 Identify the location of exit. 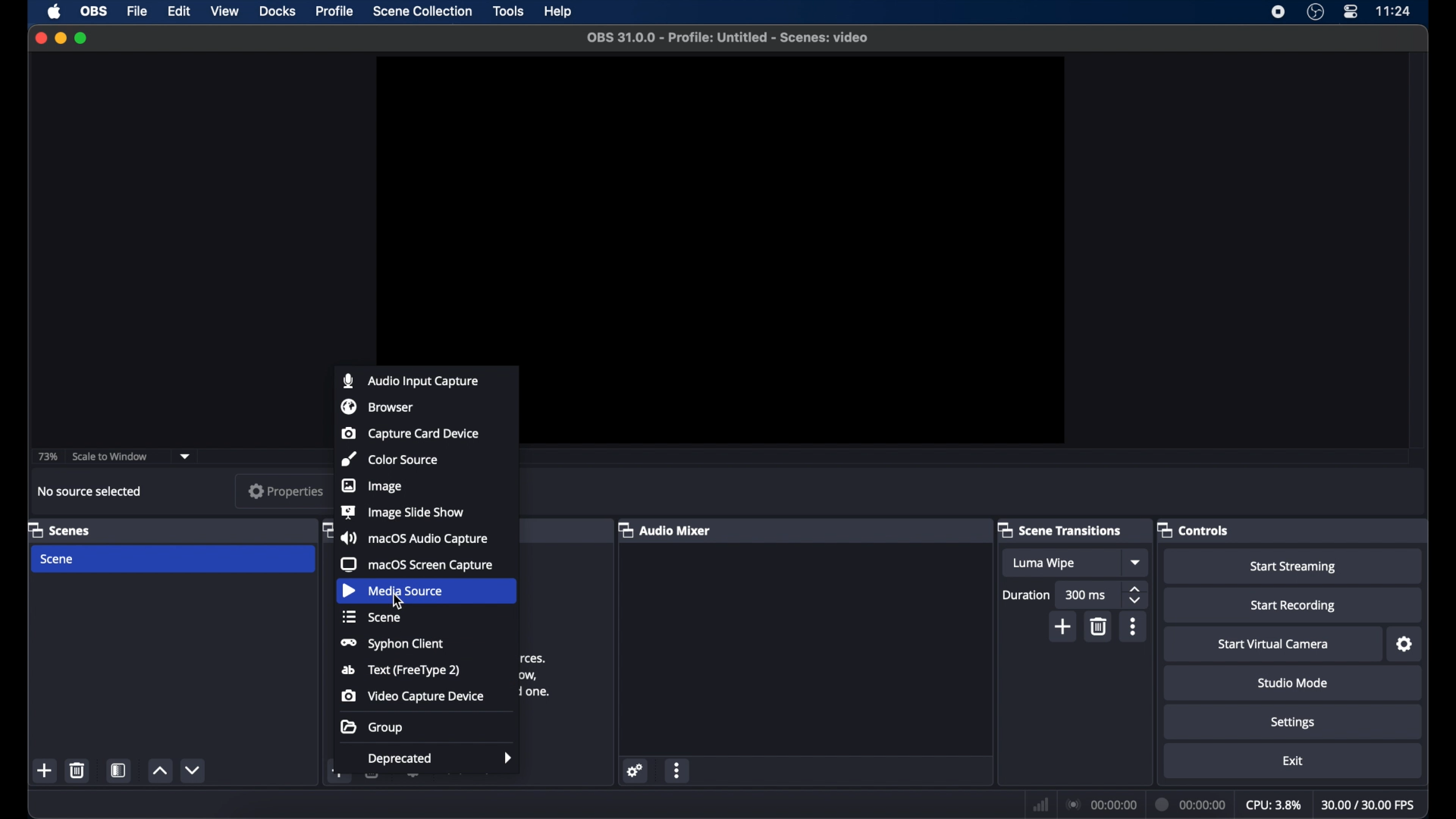
(1295, 761).